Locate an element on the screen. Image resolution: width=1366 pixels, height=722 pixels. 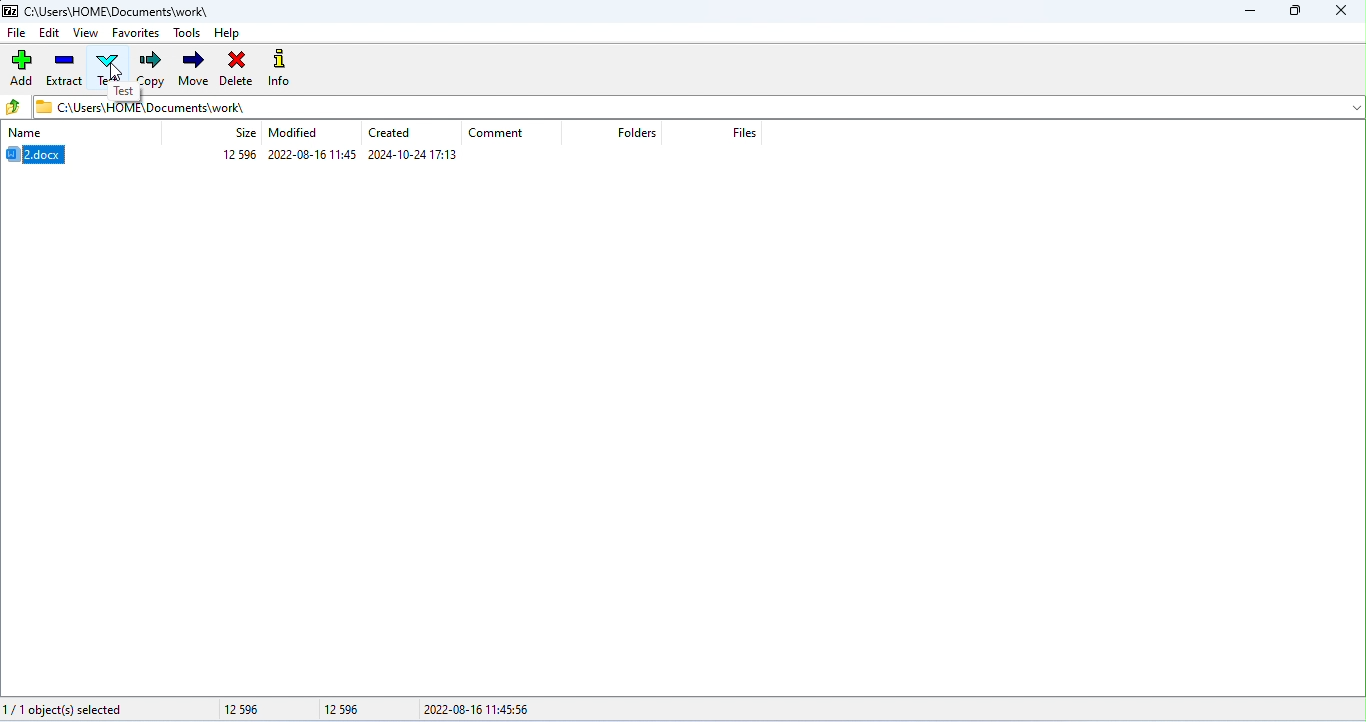
12596 is located at coordinates (259, 710).